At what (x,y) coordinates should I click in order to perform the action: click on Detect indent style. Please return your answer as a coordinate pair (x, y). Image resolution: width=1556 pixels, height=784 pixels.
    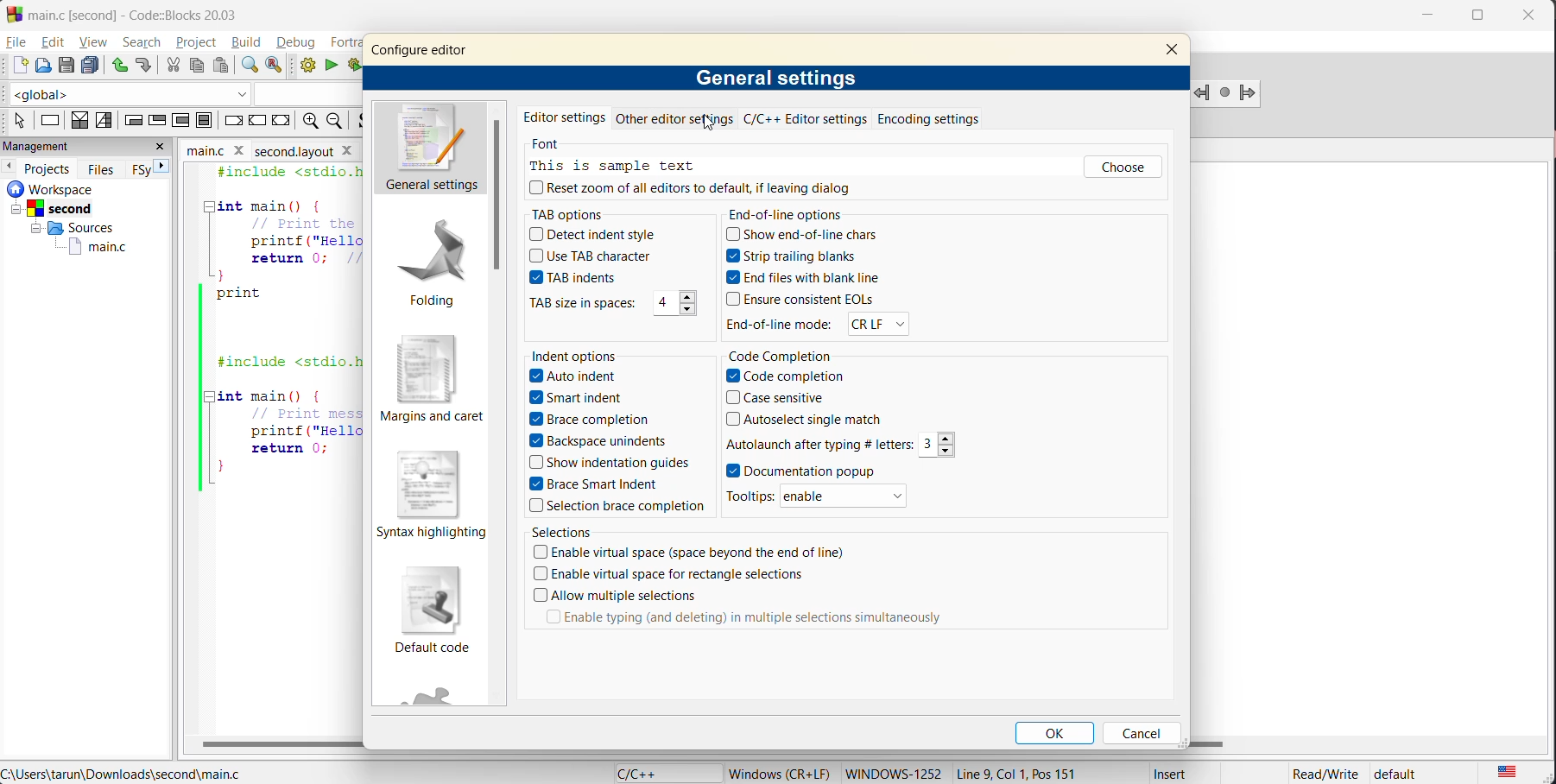
    Looking at the image, I should click on (588, 235).